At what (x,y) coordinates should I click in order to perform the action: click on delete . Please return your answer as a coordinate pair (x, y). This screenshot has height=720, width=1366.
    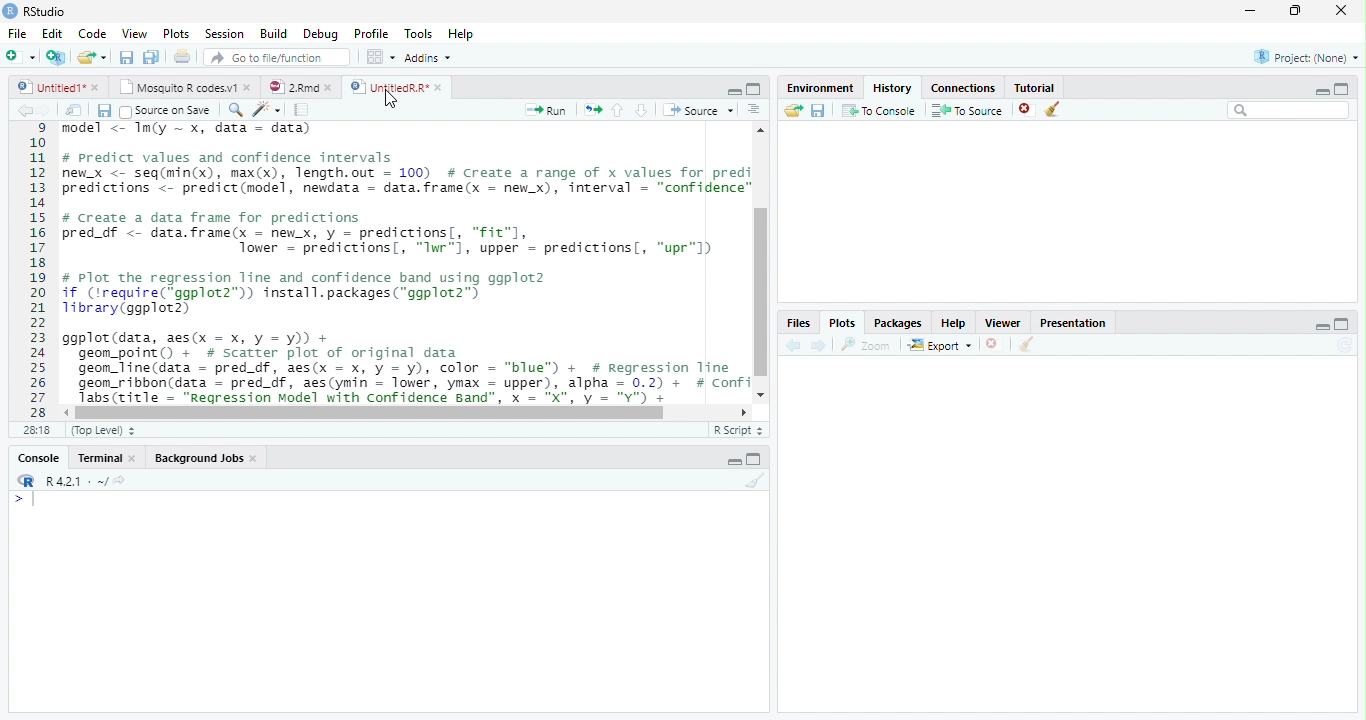
    Looking at the image, I should click on (1024, 108).